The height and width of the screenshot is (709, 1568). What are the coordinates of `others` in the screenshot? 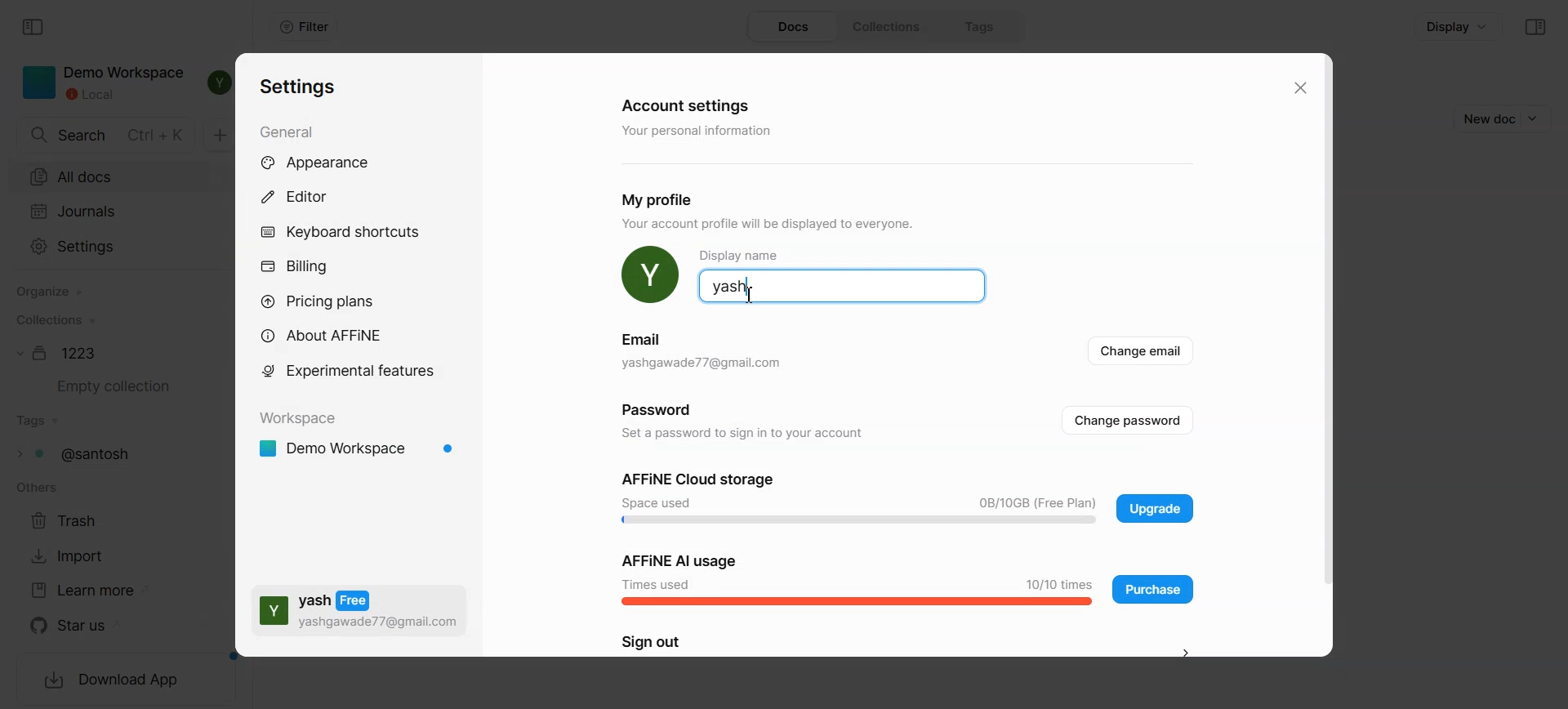 It's located at (34, 488).